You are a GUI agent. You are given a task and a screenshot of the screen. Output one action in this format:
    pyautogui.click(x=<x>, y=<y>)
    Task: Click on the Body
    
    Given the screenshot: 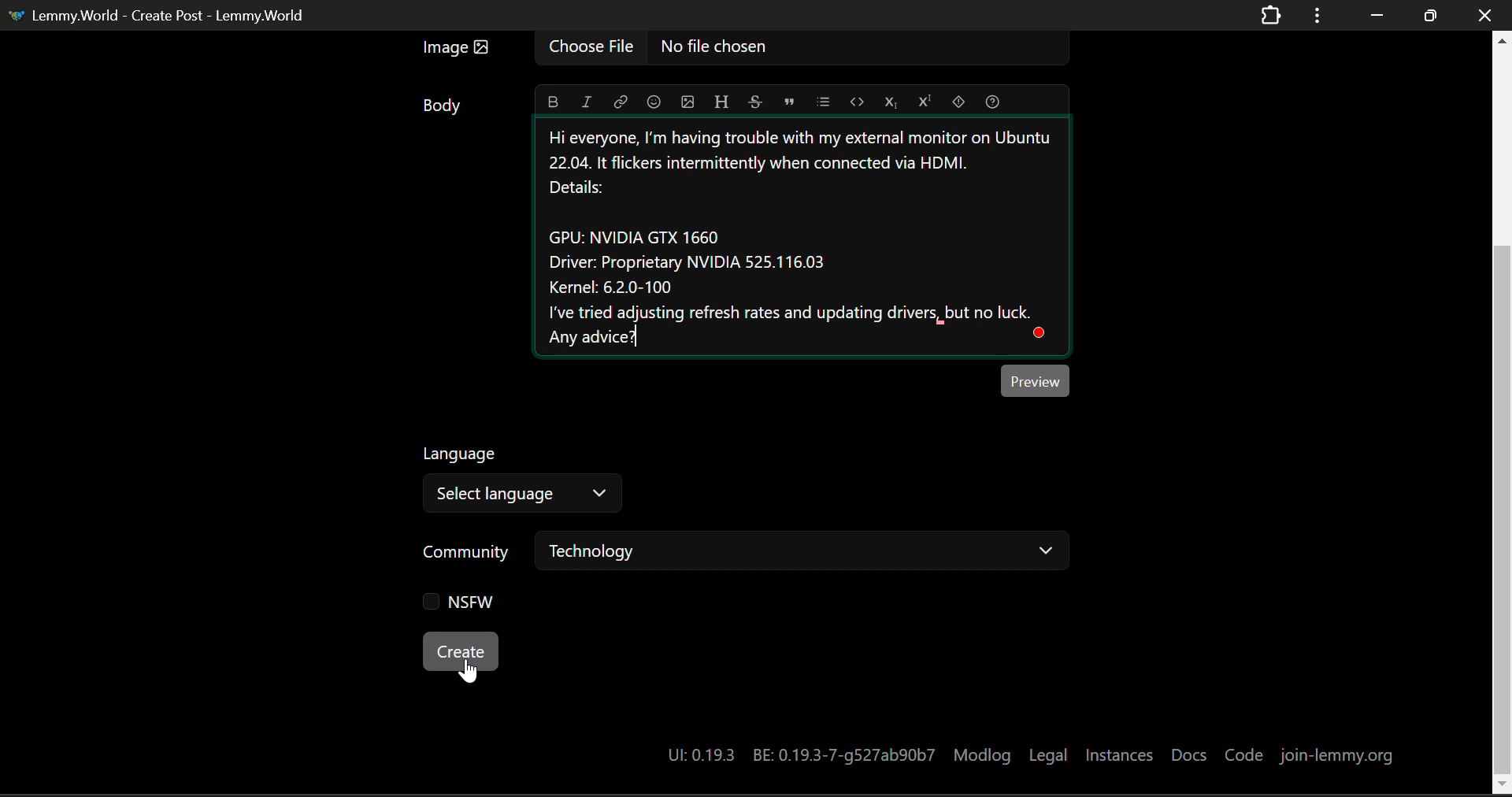 What is the action you would take?
    pyautogui.click(x=443, y=105)
    